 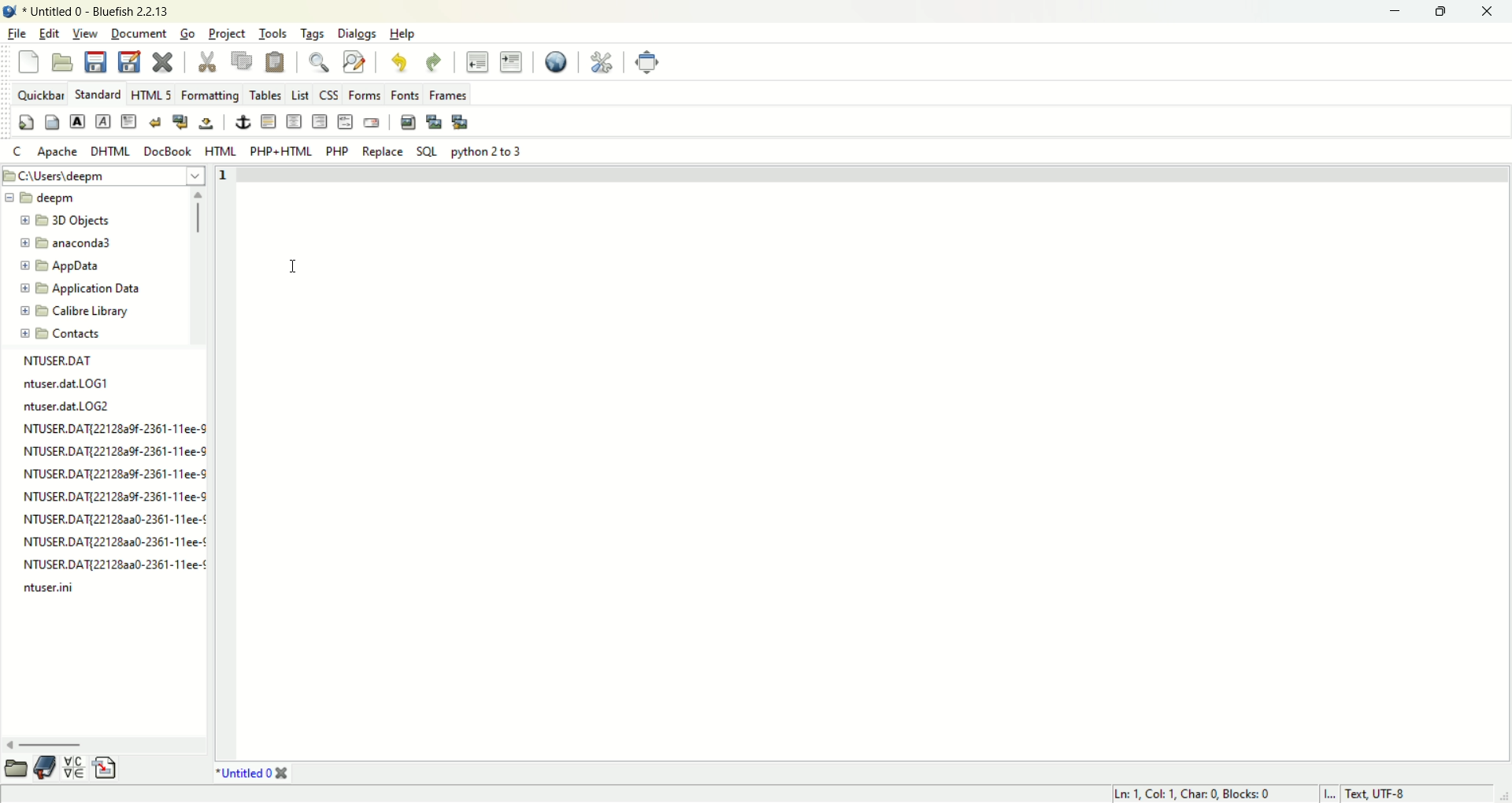 I want to click on NTUSER.DAT{221282a9f-2361-11ee-9, so click(x=115, y=478).